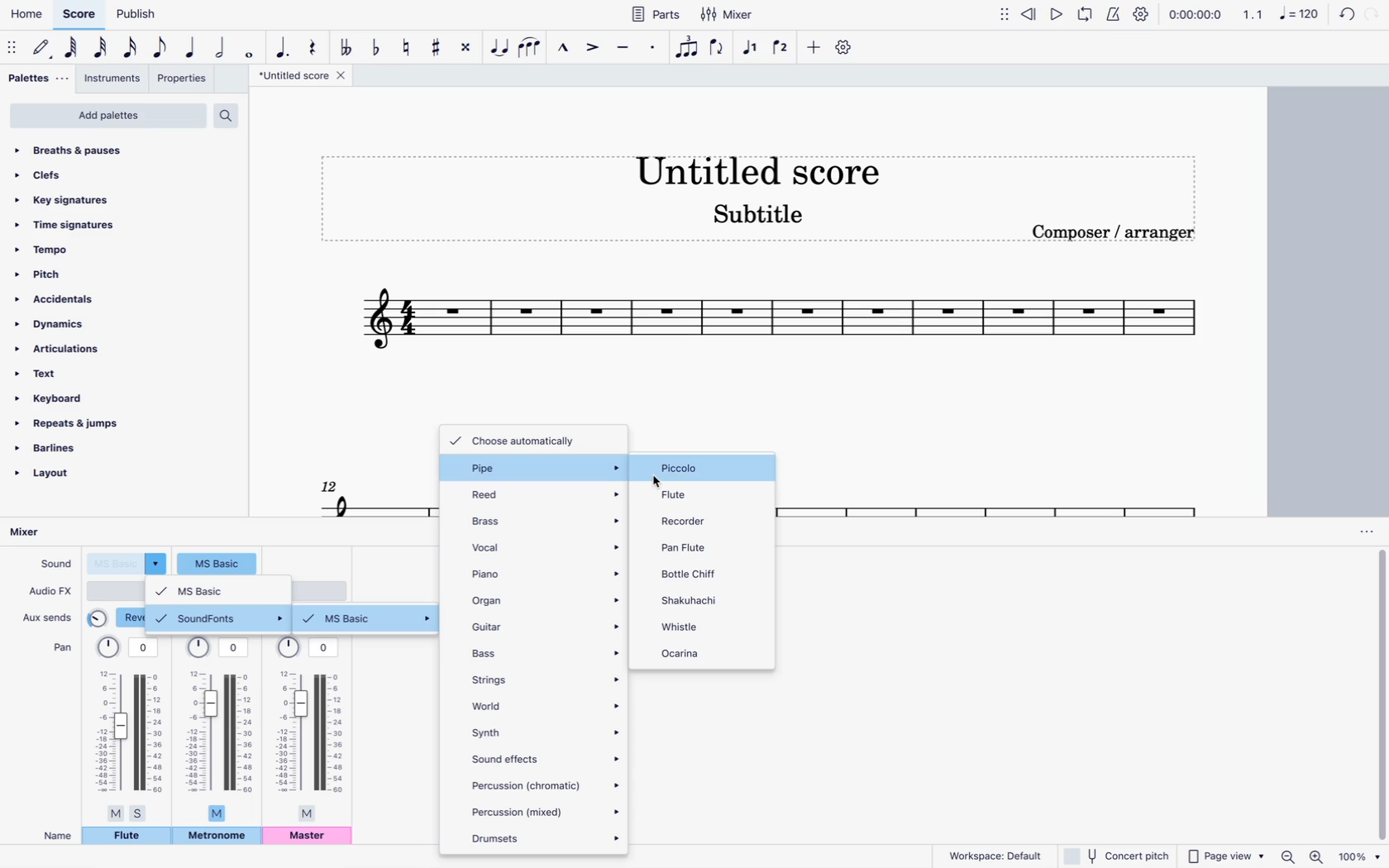  Describe the element at coordinates (308, 728) in the screenshot. I see `pan` at that location.